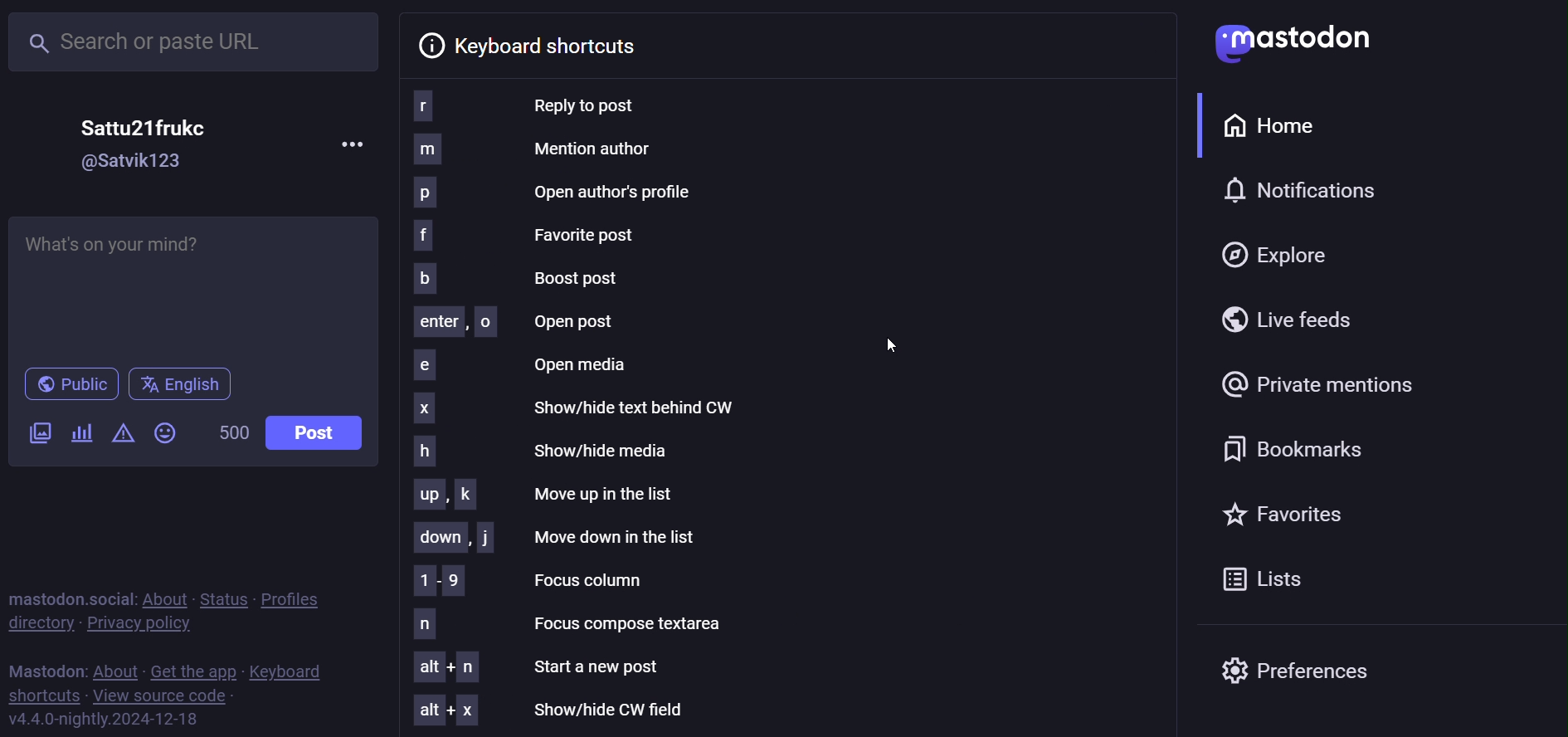 This screenshot has width=1568, height=737. What do you see at coordinates (1298, 673) in the screenshot?
I see `preferences` at bounding box center [1298, 673].